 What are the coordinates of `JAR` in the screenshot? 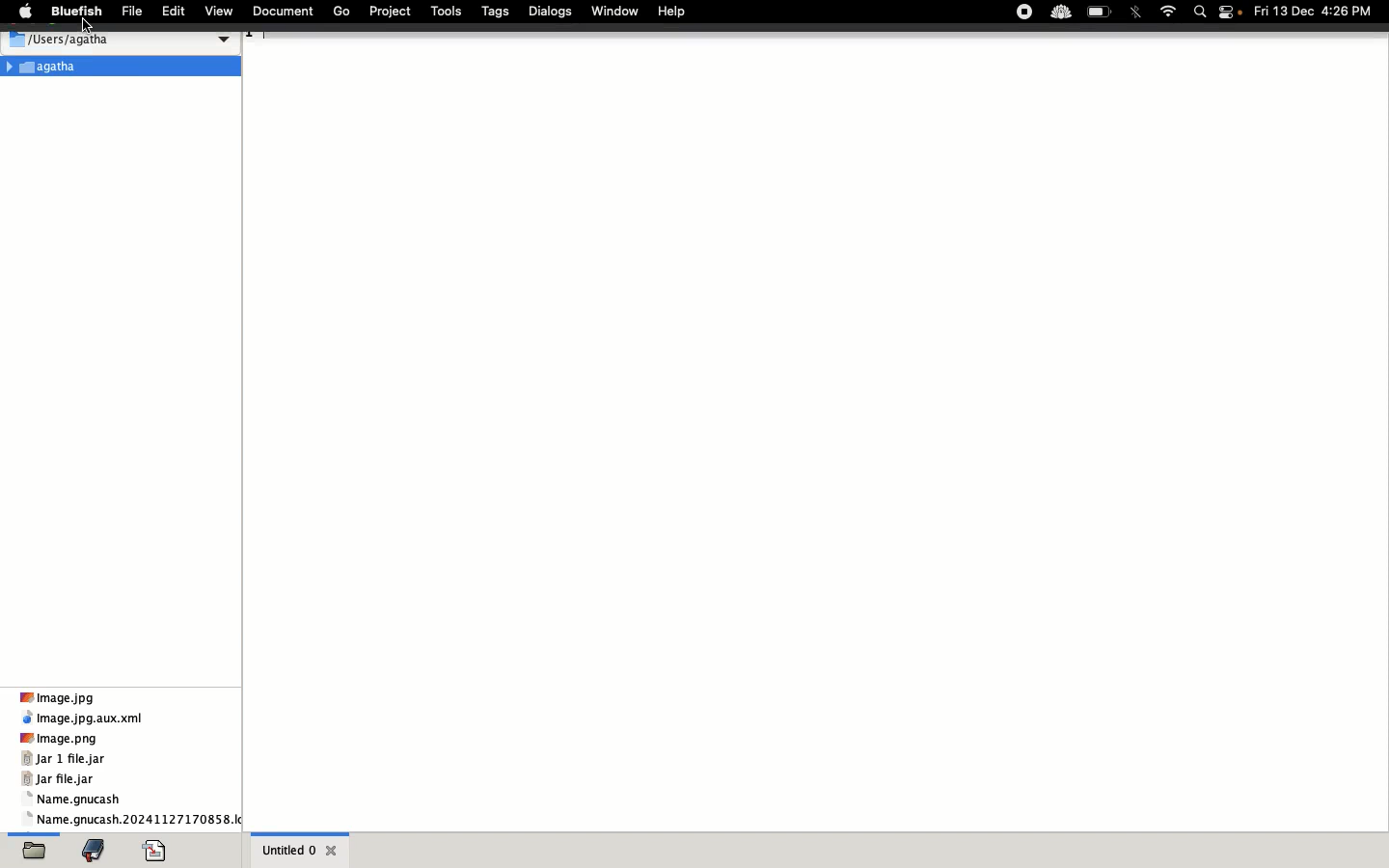 It's located at (68, 771).